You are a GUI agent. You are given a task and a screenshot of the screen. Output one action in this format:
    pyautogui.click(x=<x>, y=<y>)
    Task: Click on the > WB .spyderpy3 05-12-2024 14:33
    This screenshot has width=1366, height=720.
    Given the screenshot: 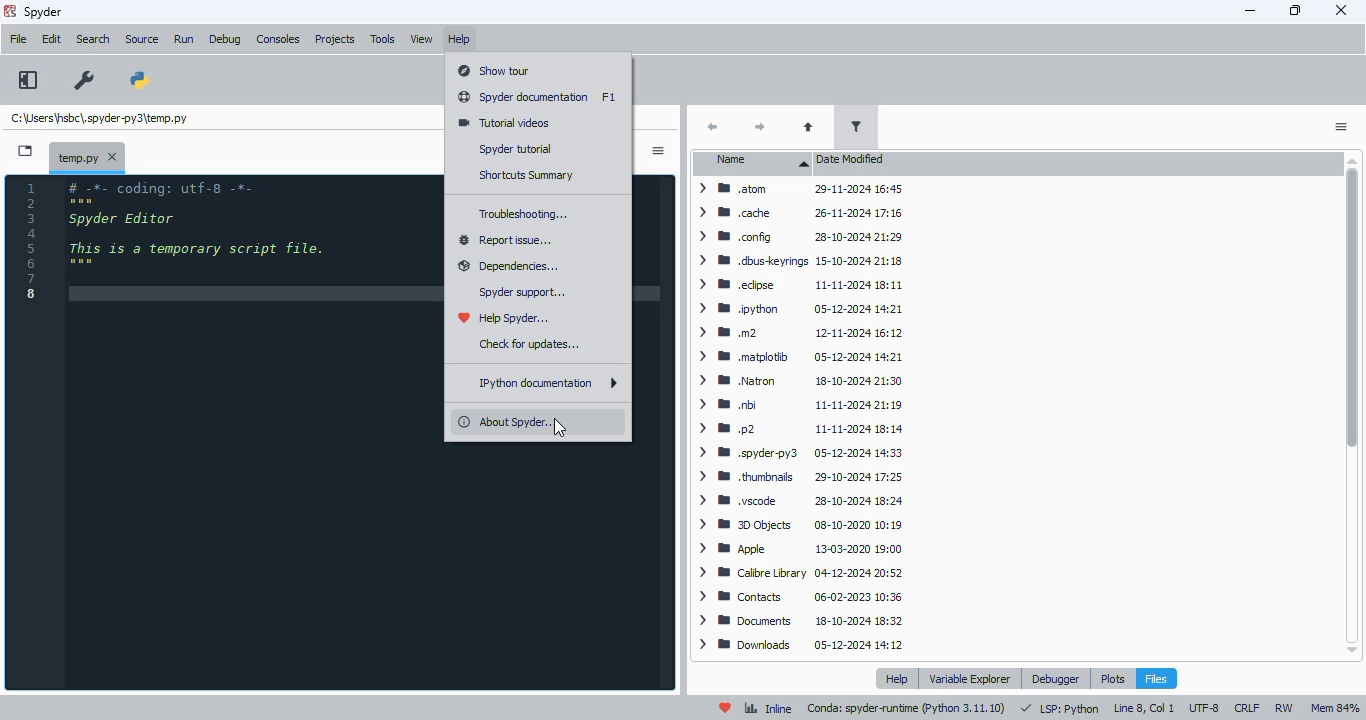 What is the action you would take?
    pyautogui.click(x=796, y=451)
    